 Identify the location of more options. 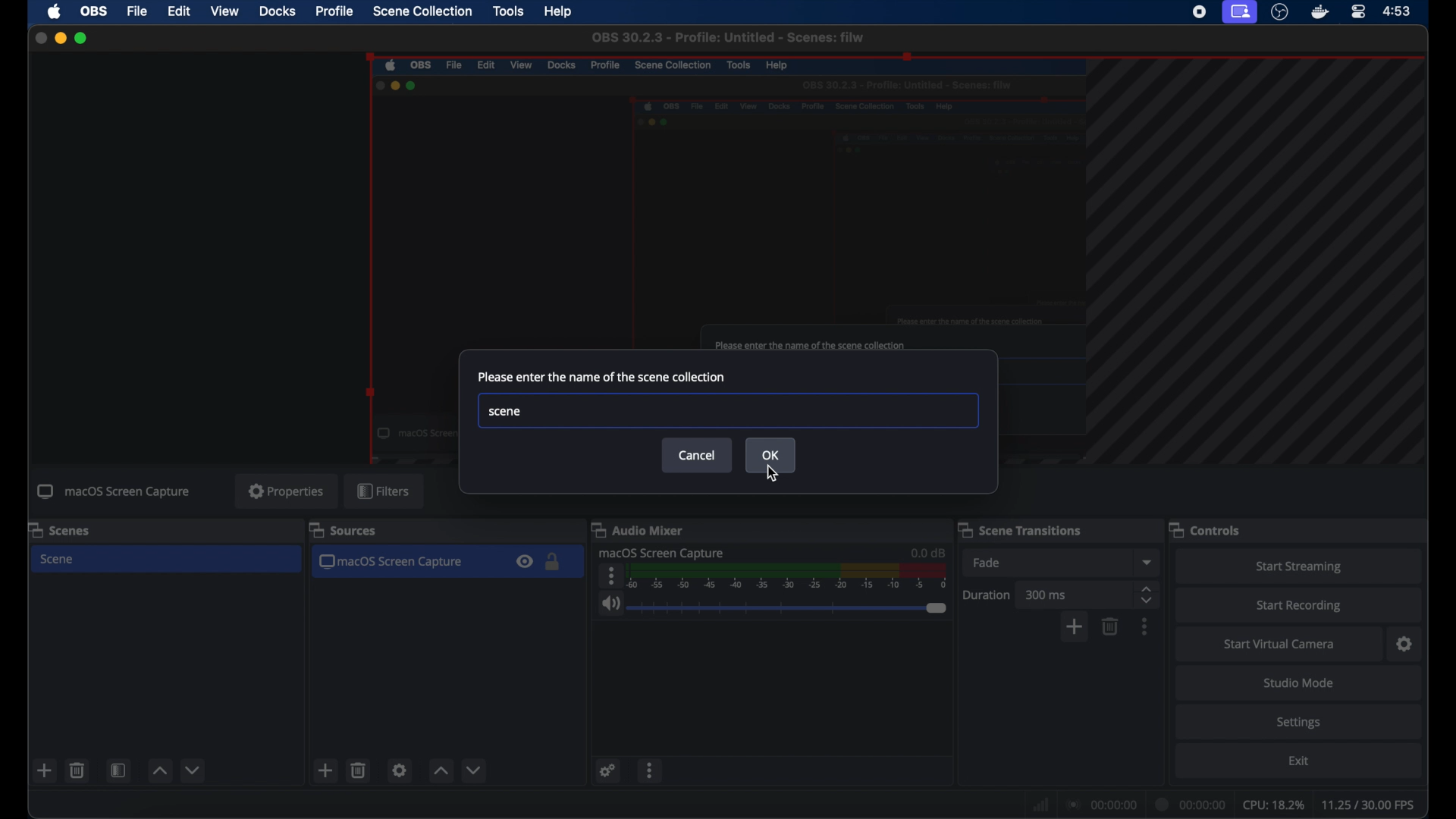
(609, 576).